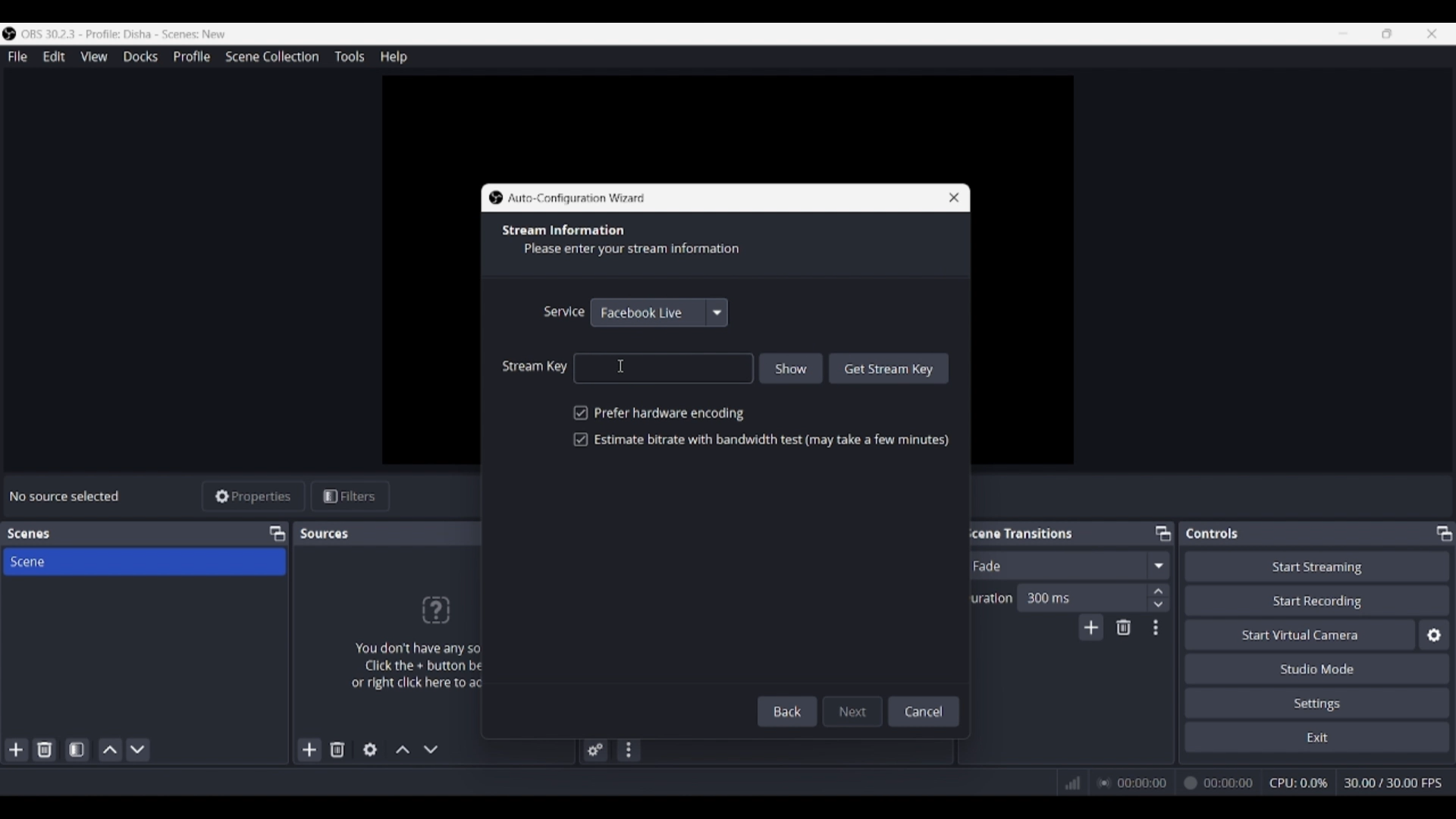 The image size is (1456, 819). What do you see at coordinates (854, 708) in the screenshot?
I see `Next` at bounding box center [854, 708].